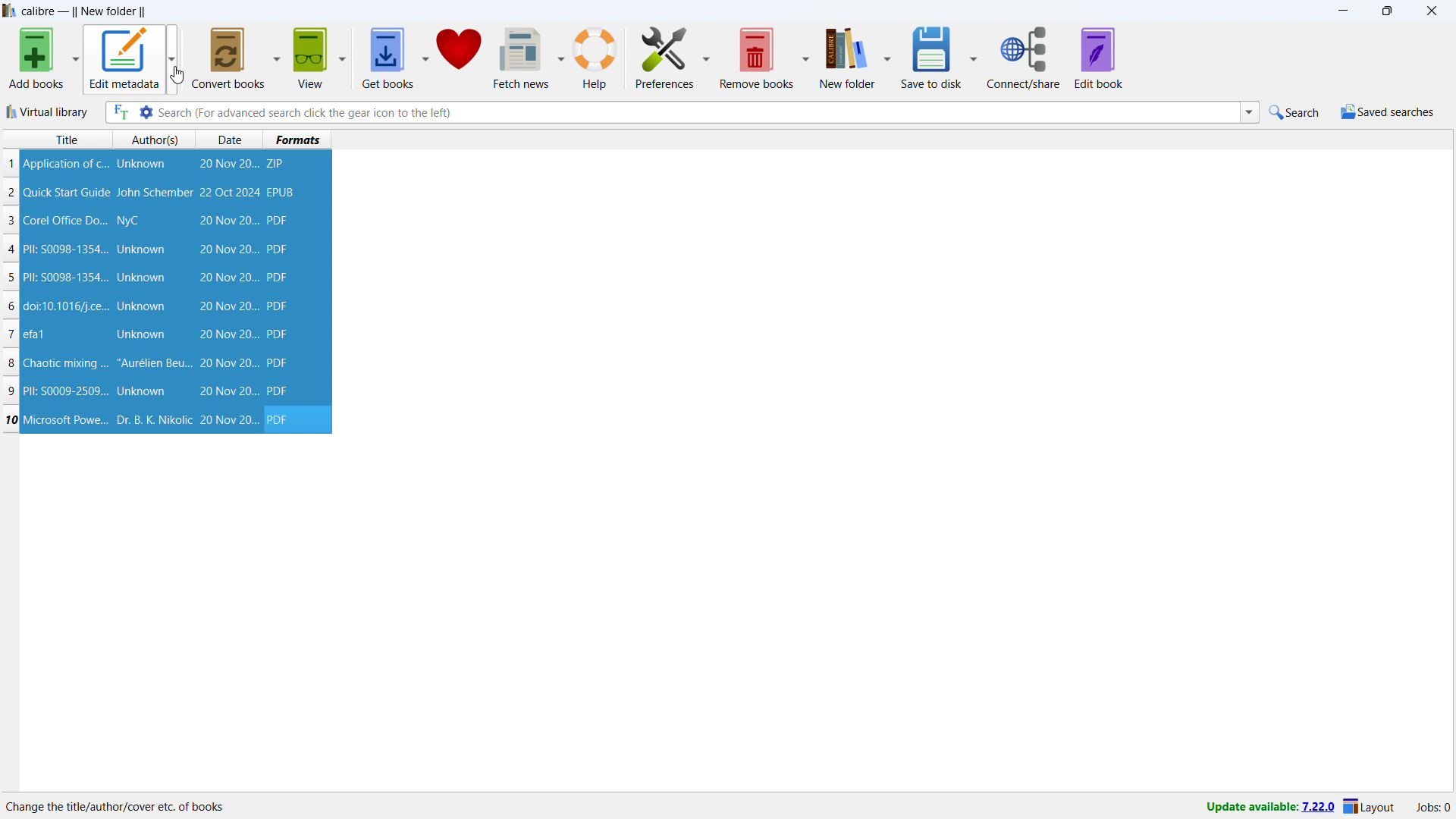 This screenshot has width=1456, height=819. I want to click on convert books options, so click(278, 58).